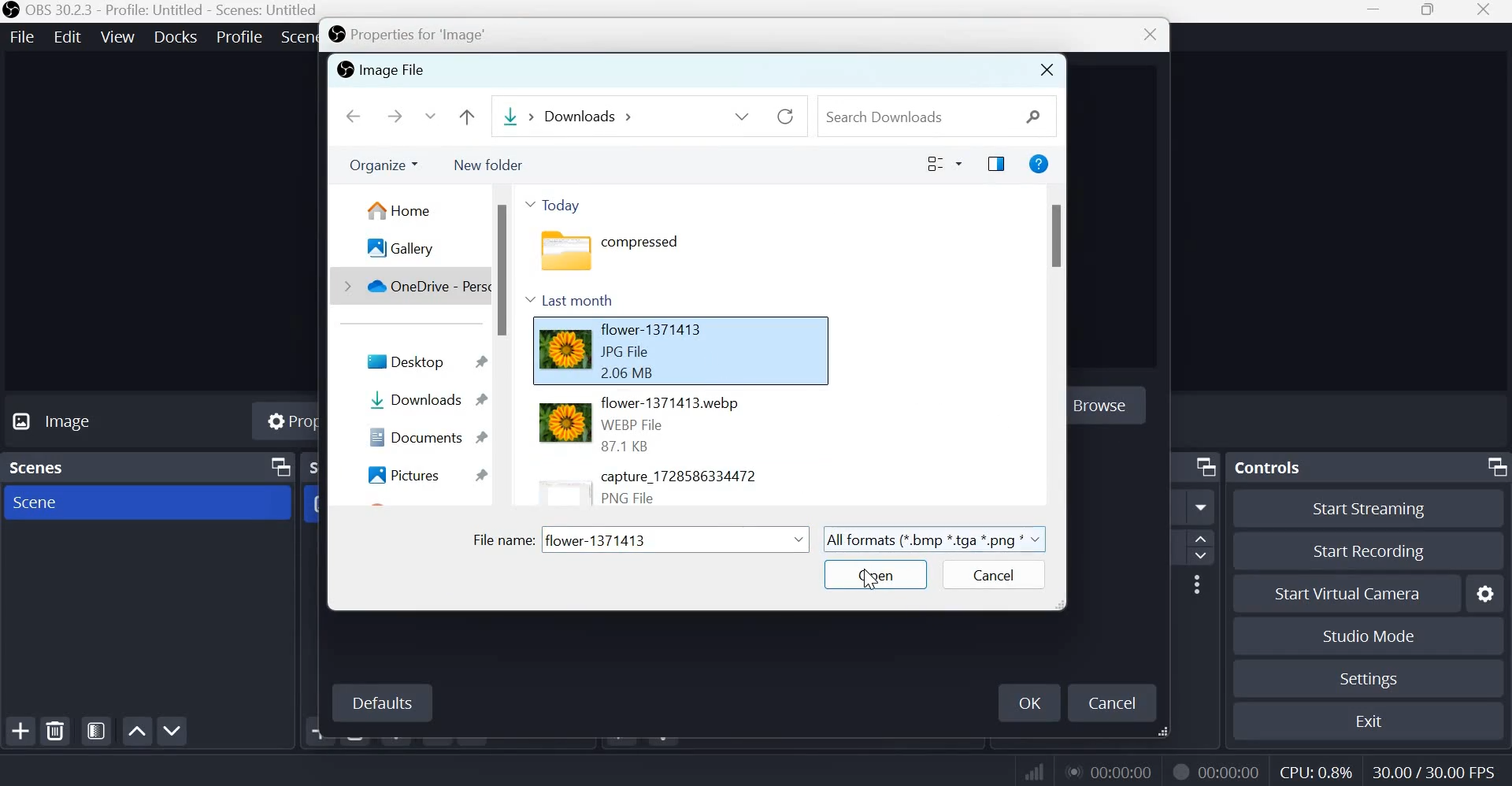  What do you see at coordinates (1439, 769) in the screenshot?
I see `30.00/30.00 FPS` at bounding box center [1439, 769].